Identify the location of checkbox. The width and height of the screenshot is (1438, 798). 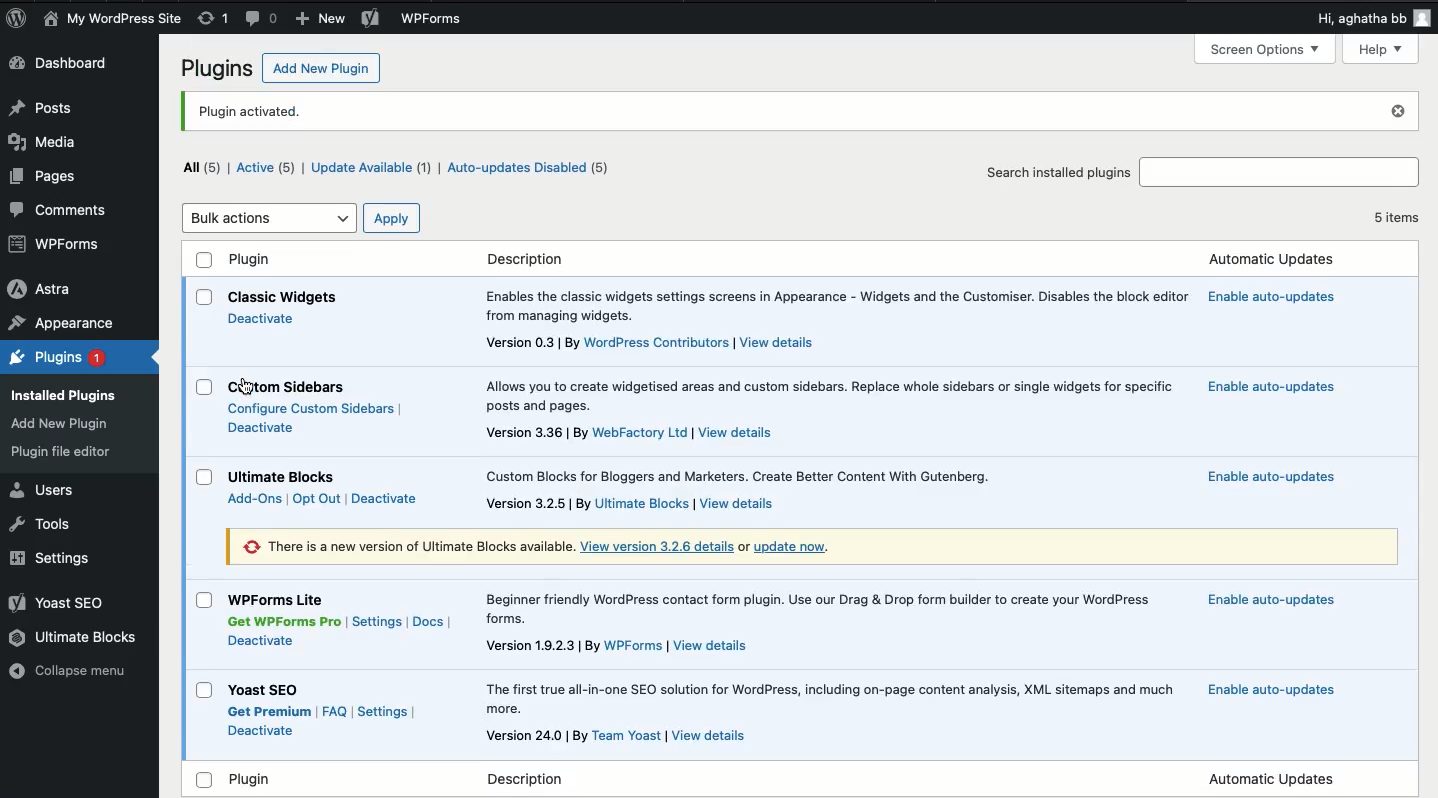
(205, 692).